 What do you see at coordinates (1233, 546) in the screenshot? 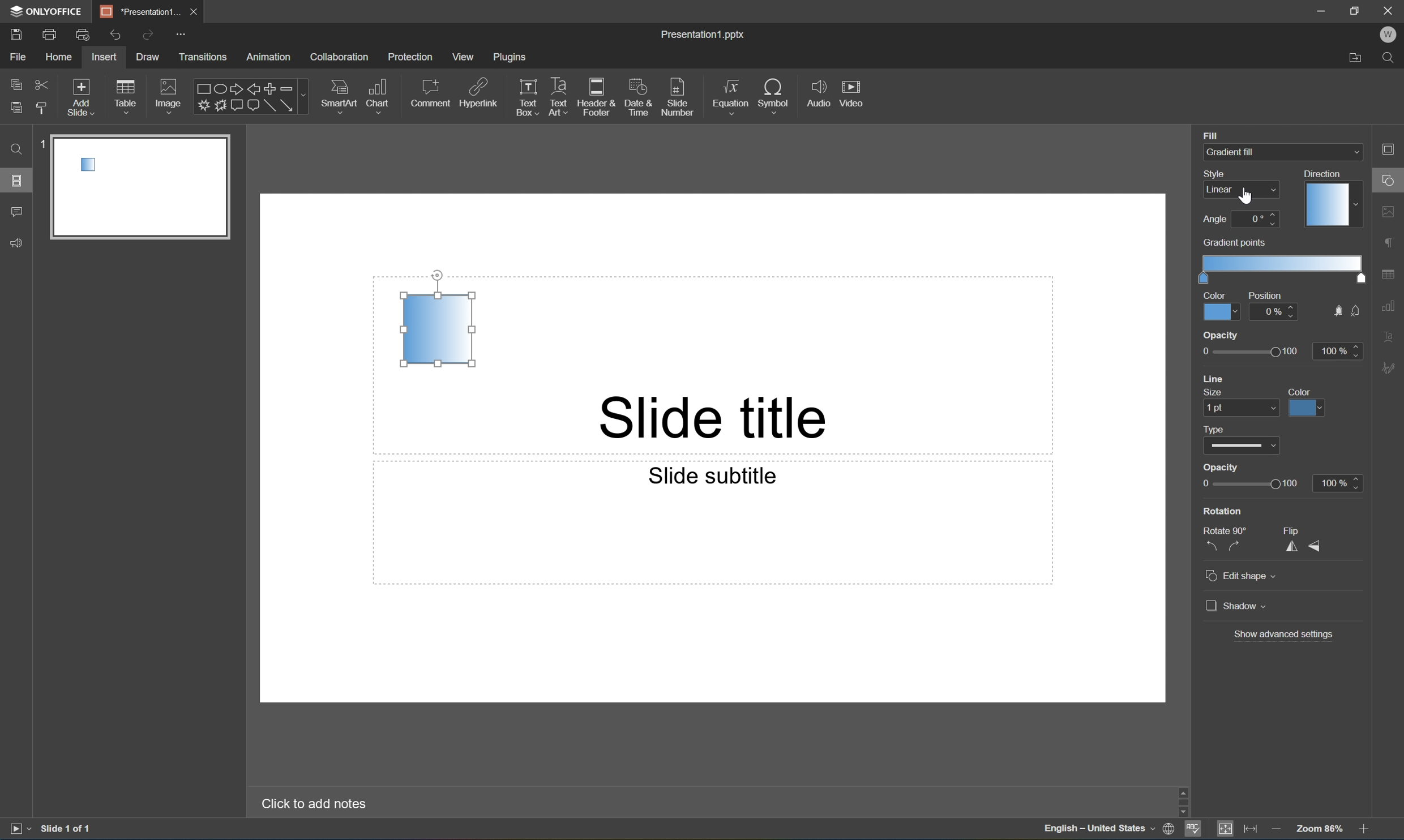
I see `Rotate 90° clockwise` at bounding box center [1233, 546].